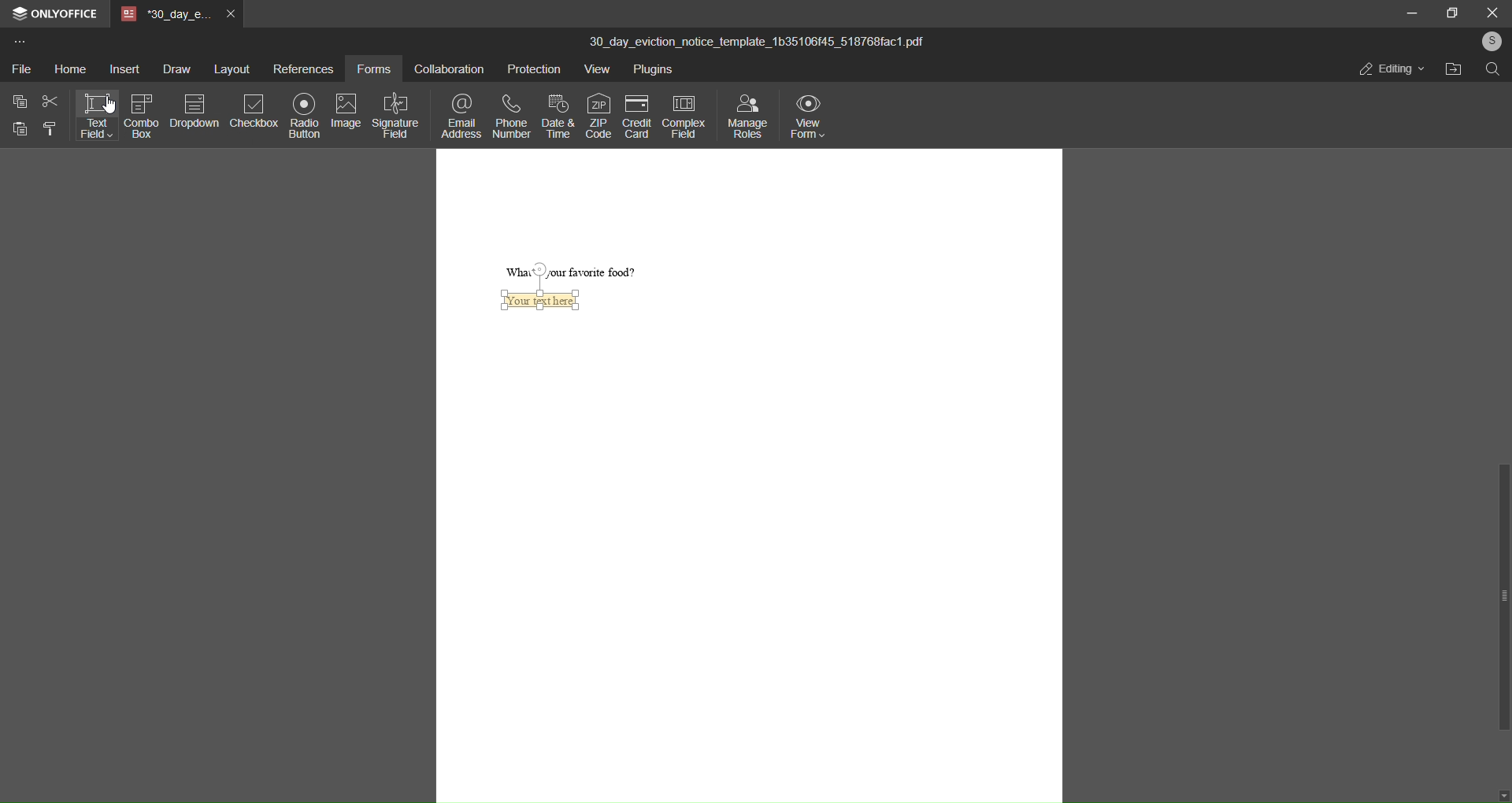 Image resolution: width=1512 pixels, height=803 pixels. I want to click on date and time, so click(558, 115).